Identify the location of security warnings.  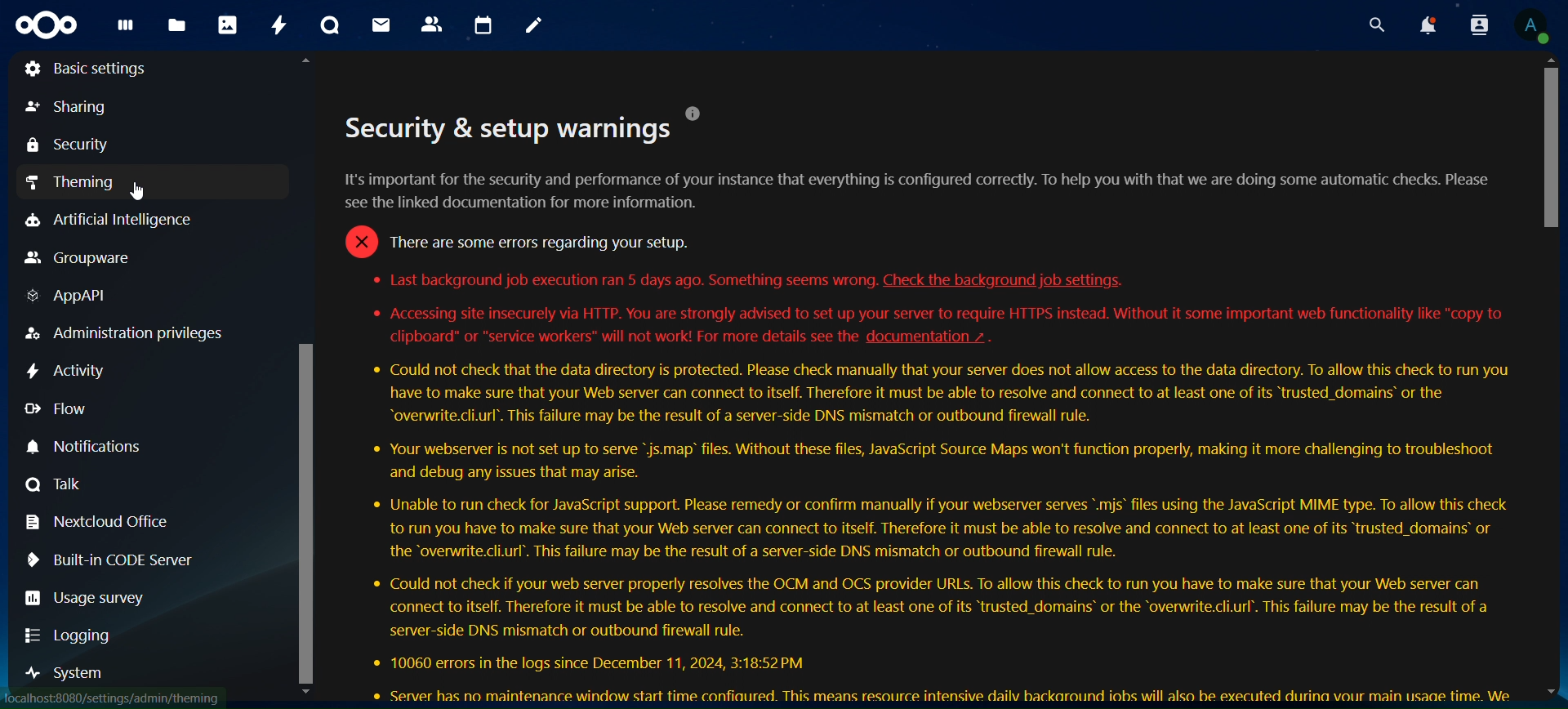
(929, 404).